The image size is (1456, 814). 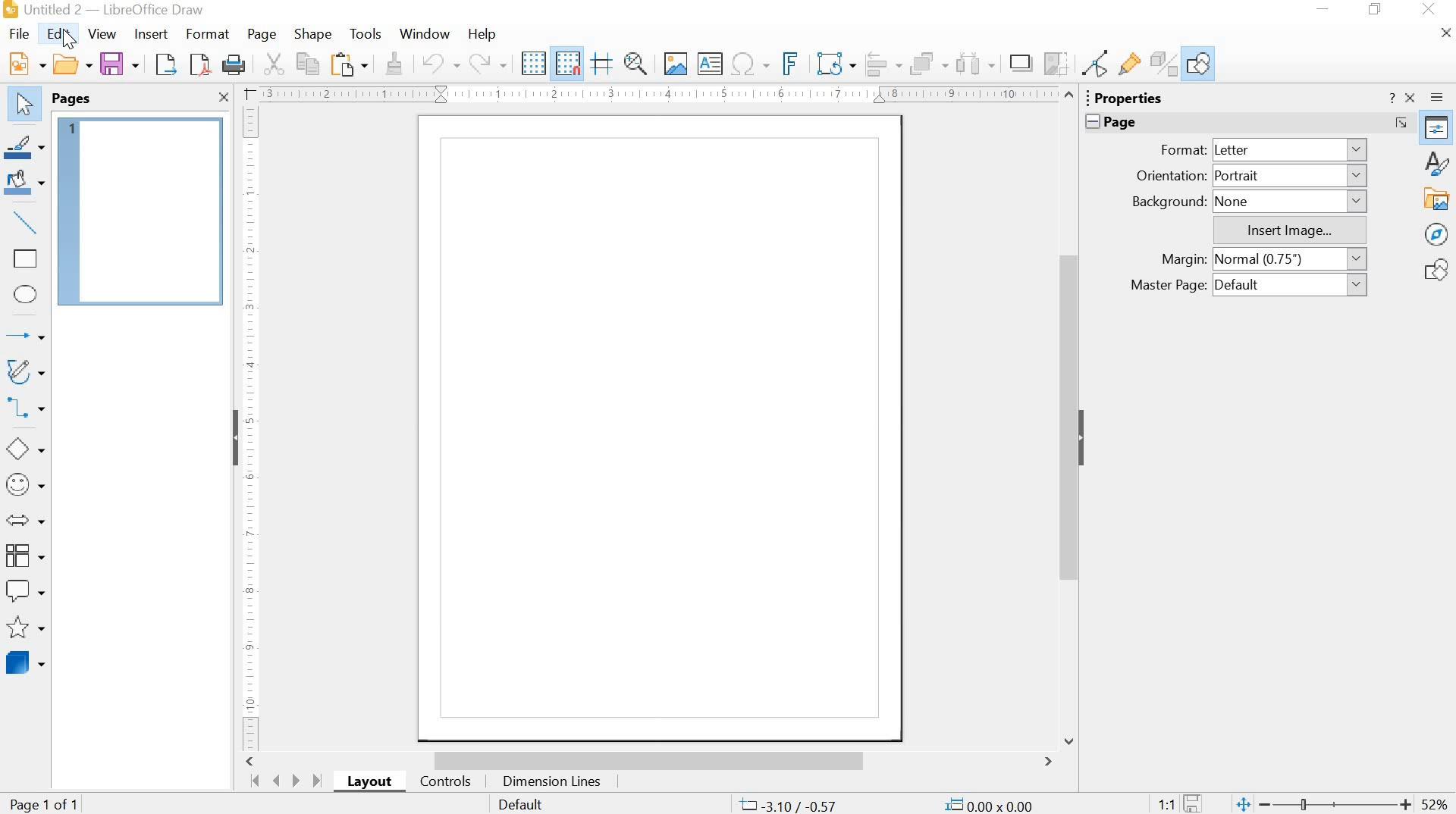 I want to click on Arrange, so click(x=931, y=61).